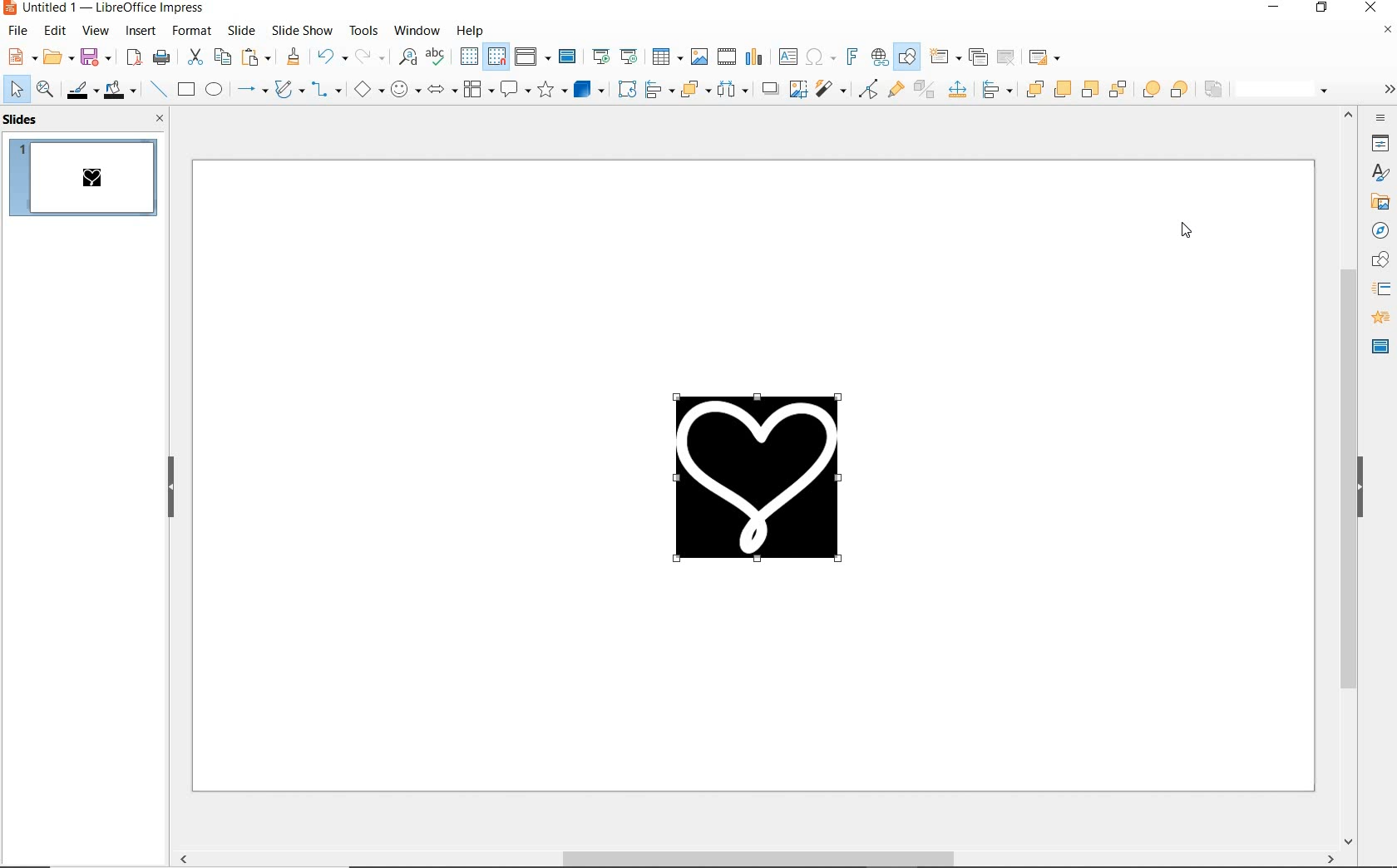 The width and height of the screenshot is (1397, 868). I want to click on line style, so click(1286, 91).